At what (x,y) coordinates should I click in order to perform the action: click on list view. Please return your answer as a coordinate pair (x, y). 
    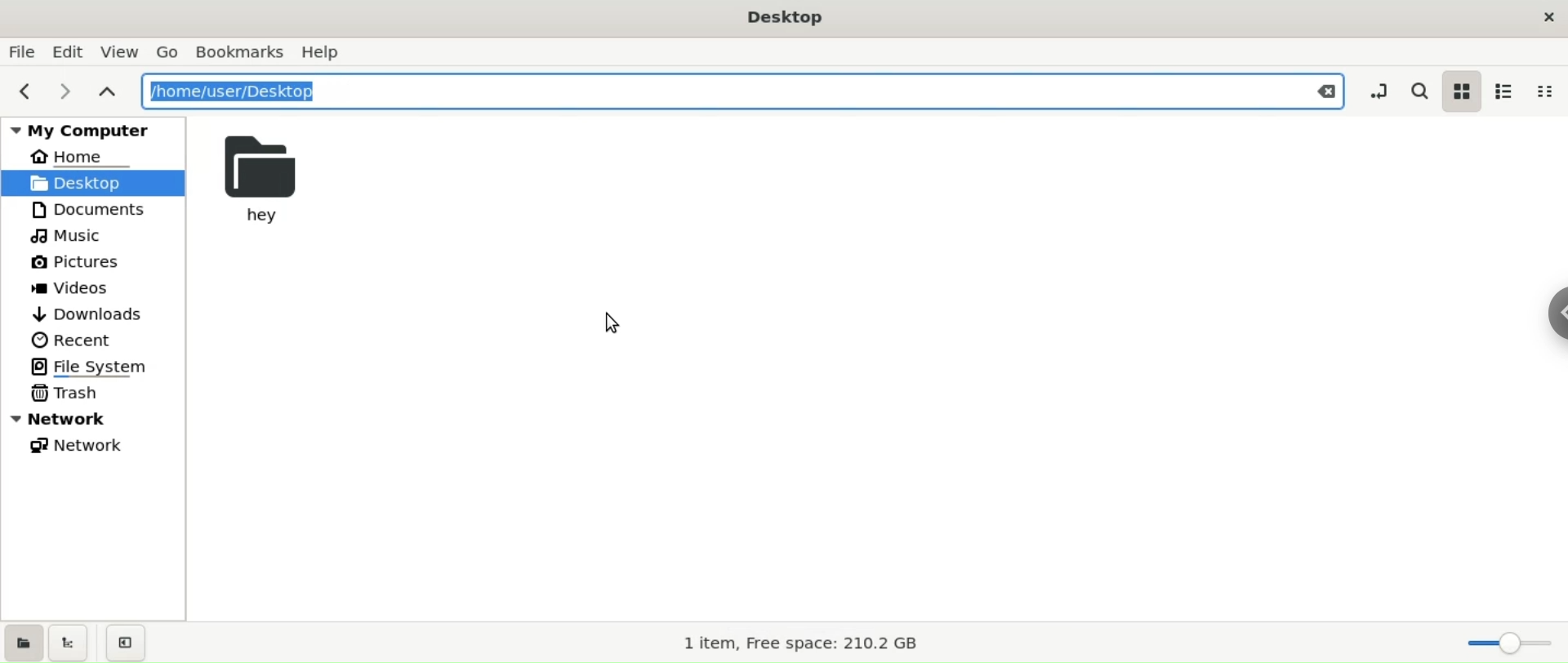
    Looking at the image, I should click on (1505, 92).